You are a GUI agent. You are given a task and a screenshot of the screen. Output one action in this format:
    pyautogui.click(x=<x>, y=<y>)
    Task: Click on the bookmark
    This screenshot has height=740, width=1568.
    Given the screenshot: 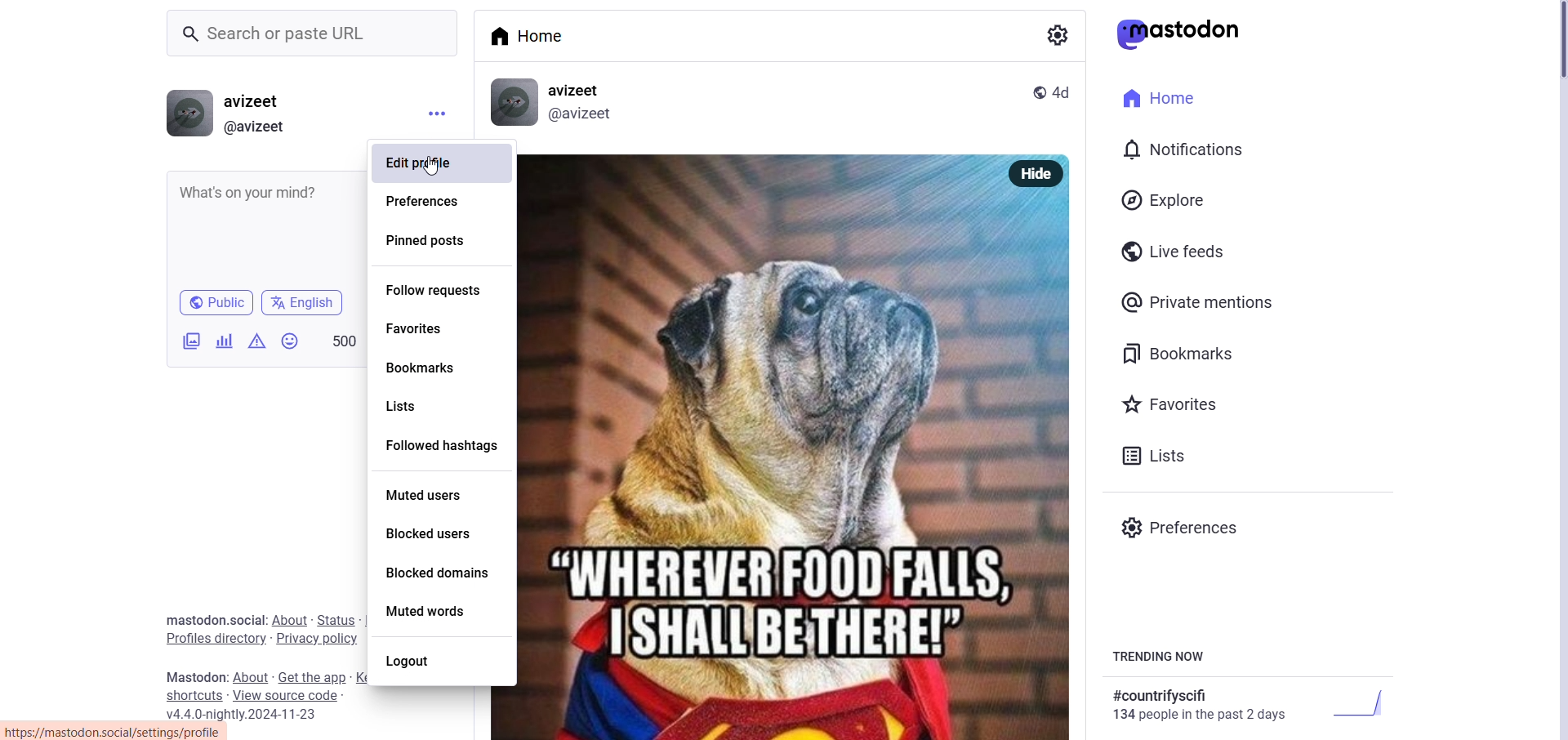 What is the action you would take?
    pyautogui.click(x=428, y=367)
    